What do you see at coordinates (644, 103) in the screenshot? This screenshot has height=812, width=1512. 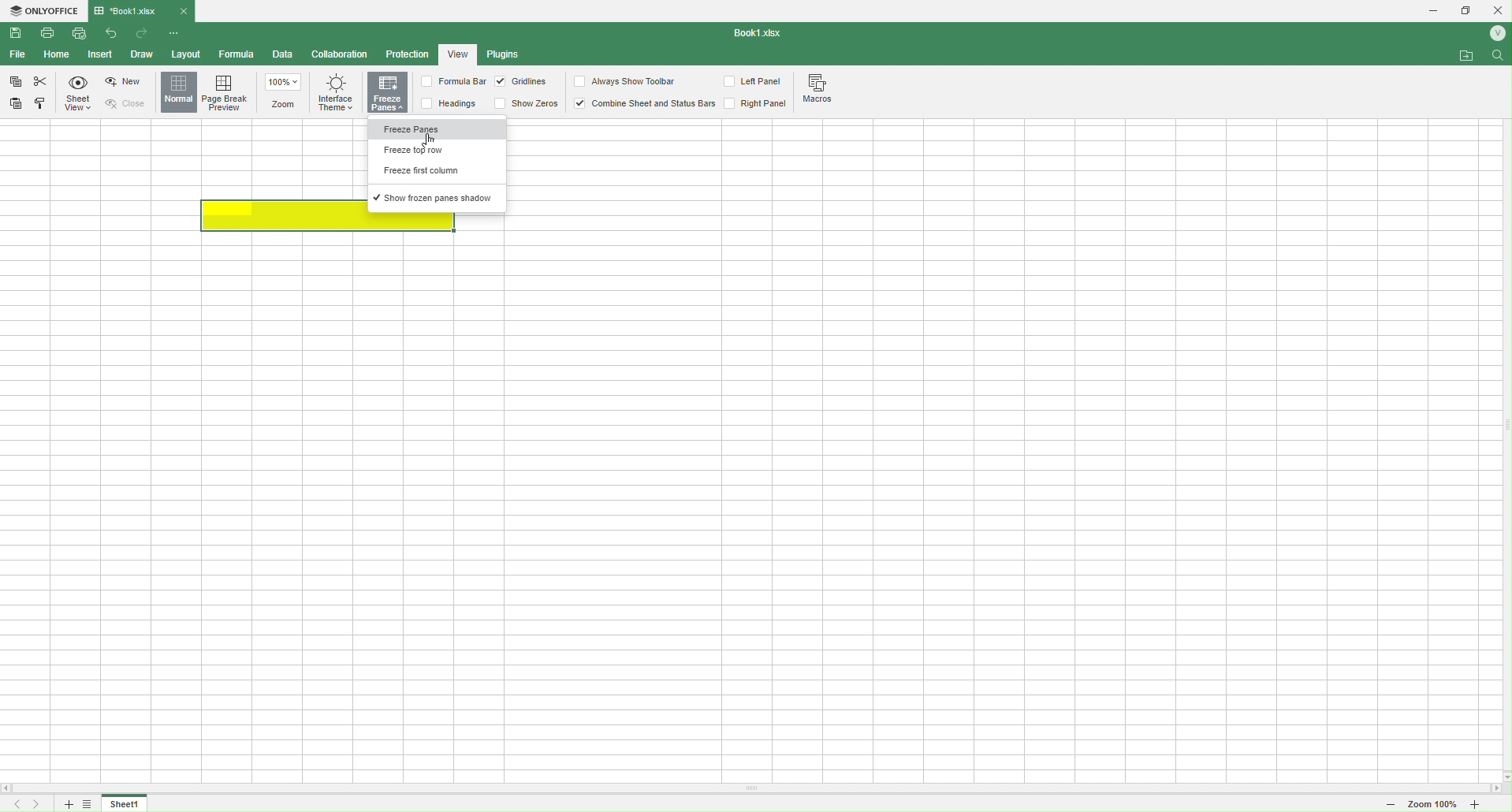 I see `Combine sheet and status bar` at bounding box center [644, 103].